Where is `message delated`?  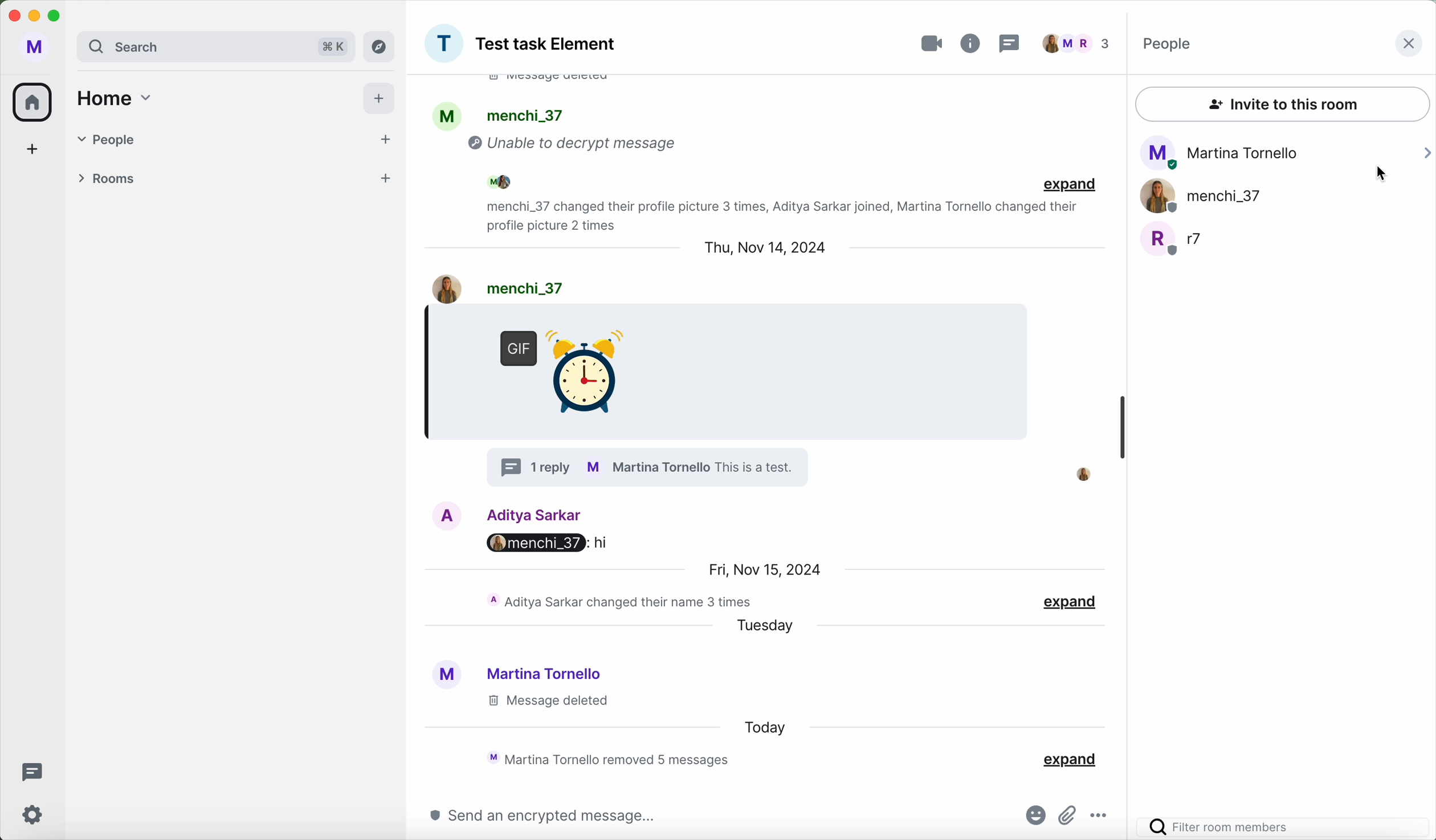
message delated is located at coordinates (546, 702).